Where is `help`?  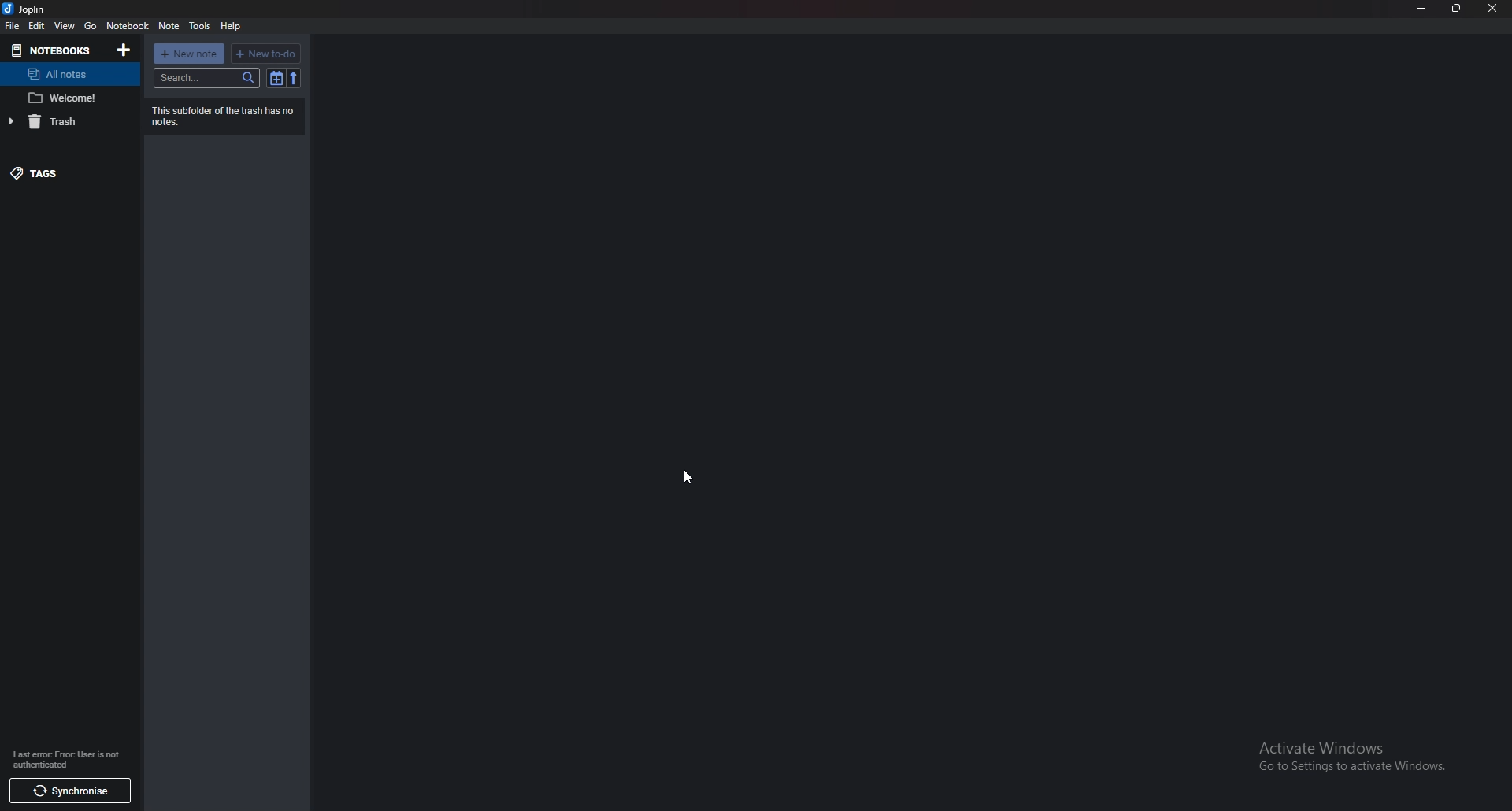 help is located at coordinates (232, 26).